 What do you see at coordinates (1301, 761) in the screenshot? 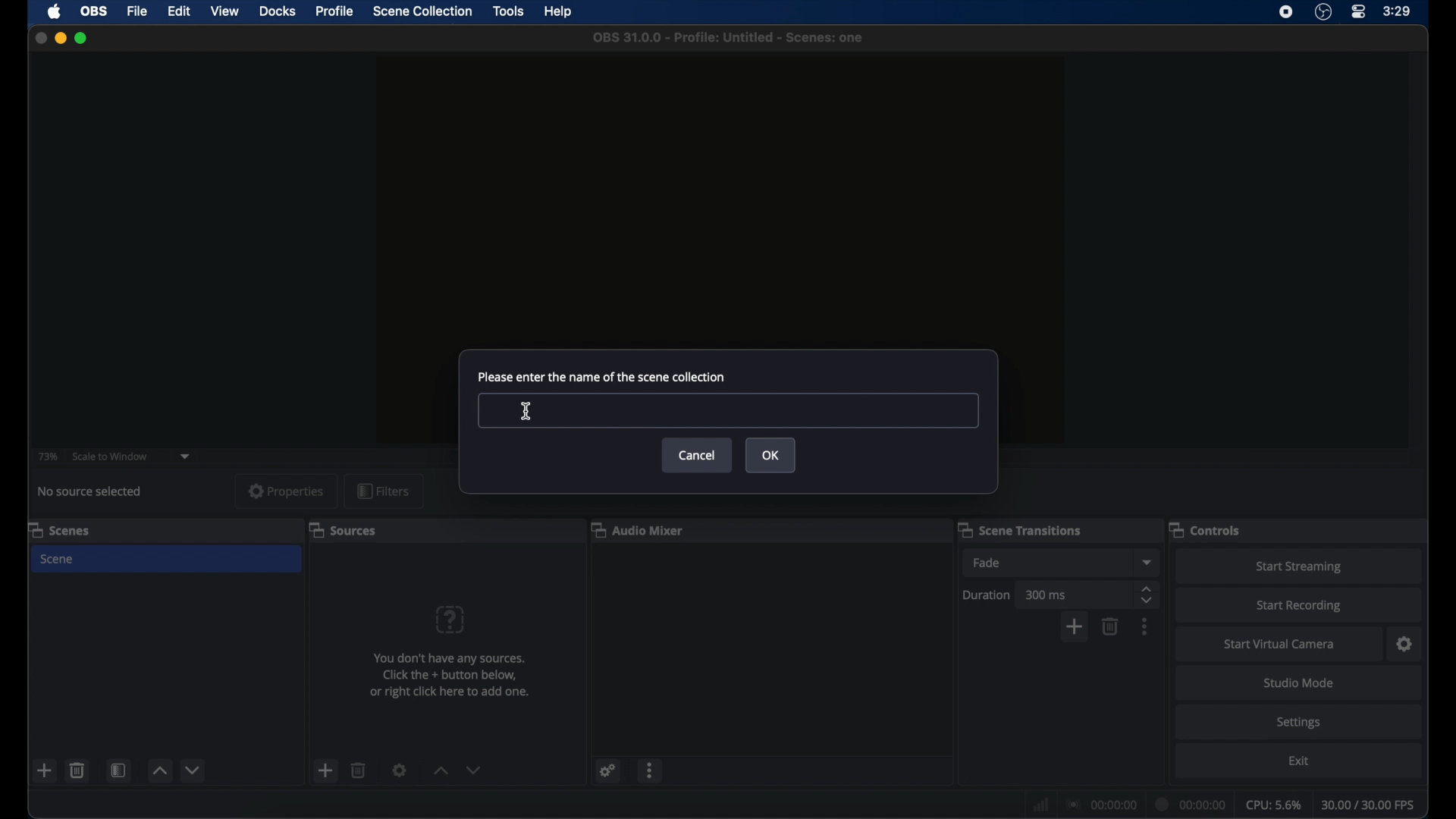
I see `exit` at bounding box center [1301, 761].